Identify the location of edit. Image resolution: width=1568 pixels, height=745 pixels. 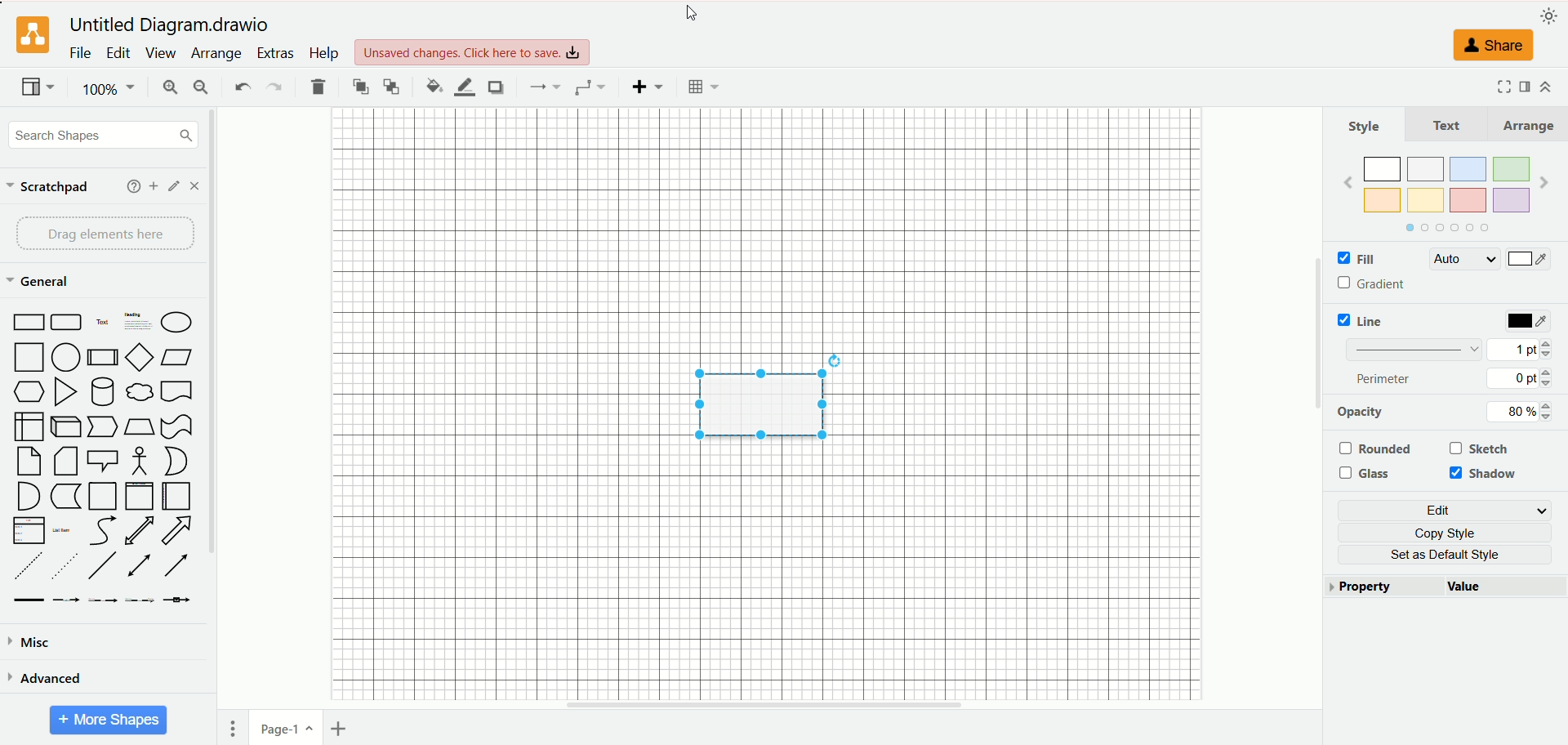
(1448, 511).